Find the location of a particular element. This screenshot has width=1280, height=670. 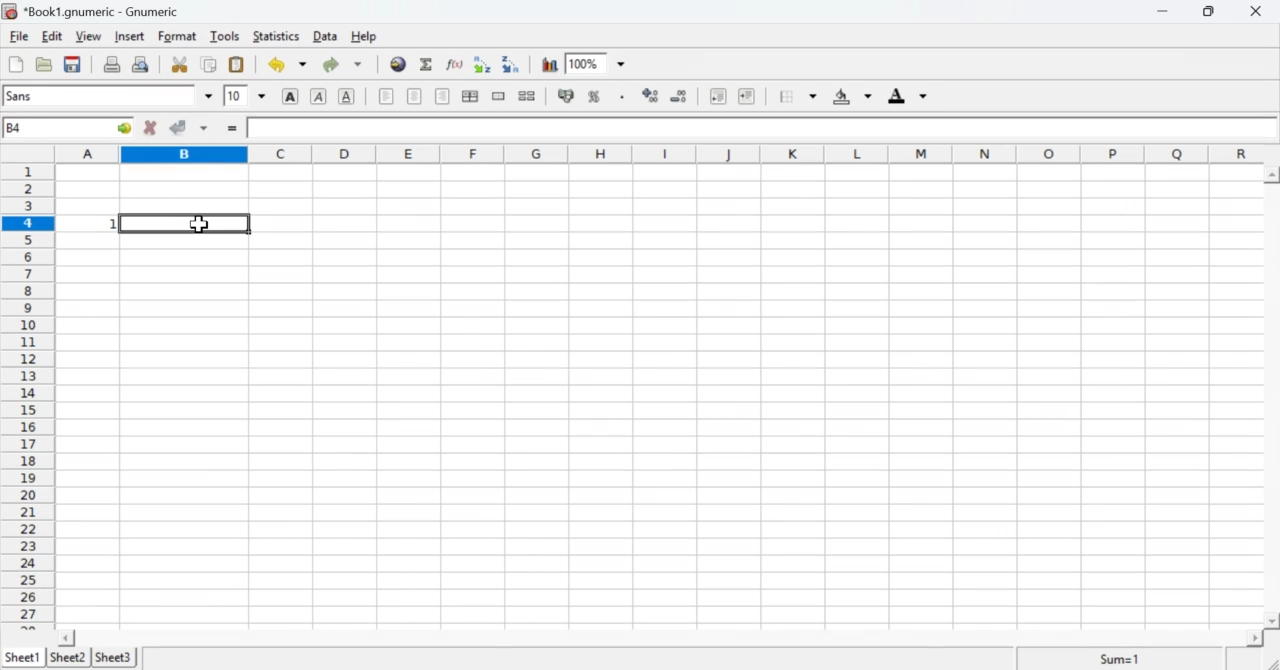

Align right  is located at coordinates (442, 97).